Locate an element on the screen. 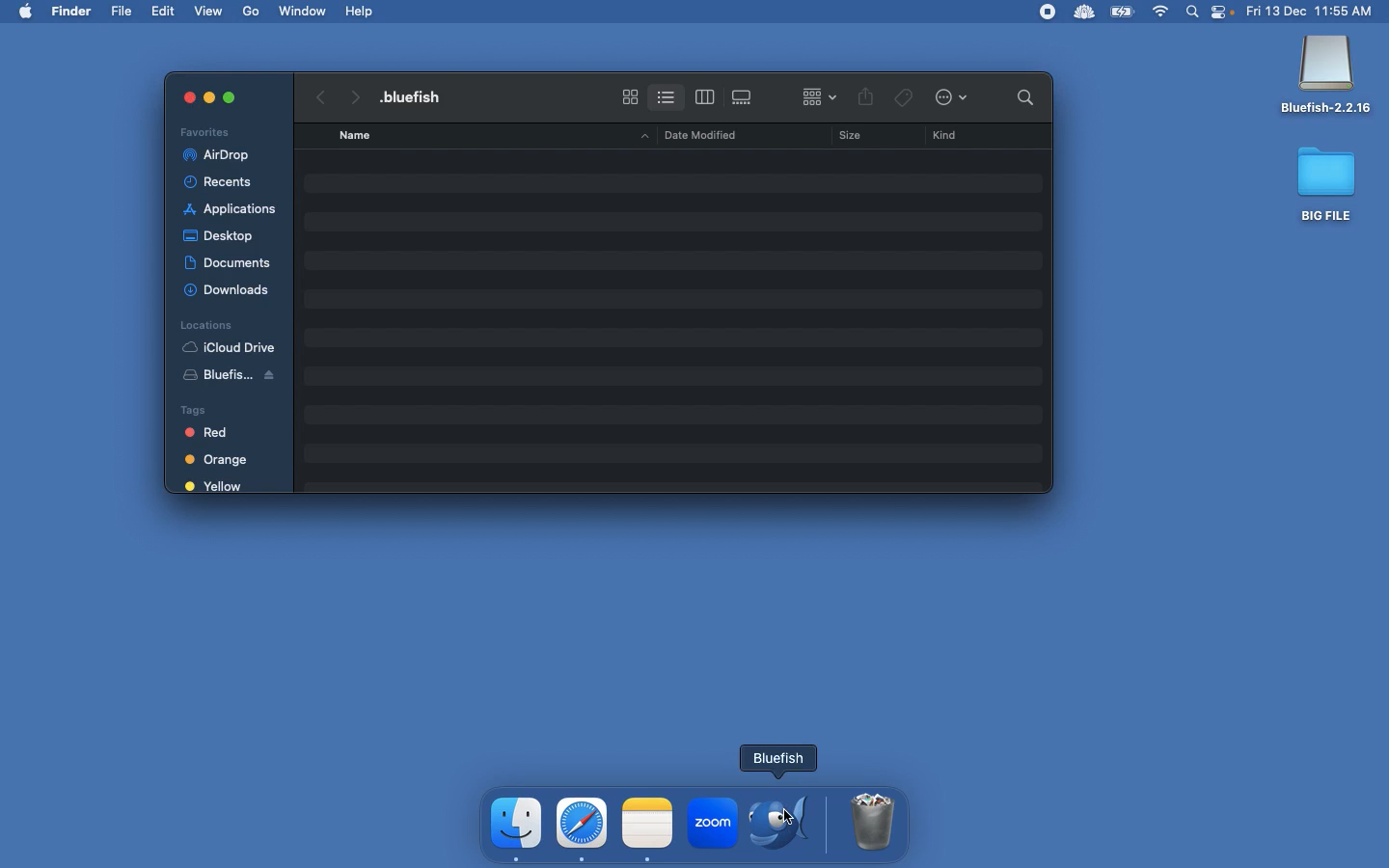 The width and height of the screenshot is (1389, 868). kind is located at coordinates (949, 136).